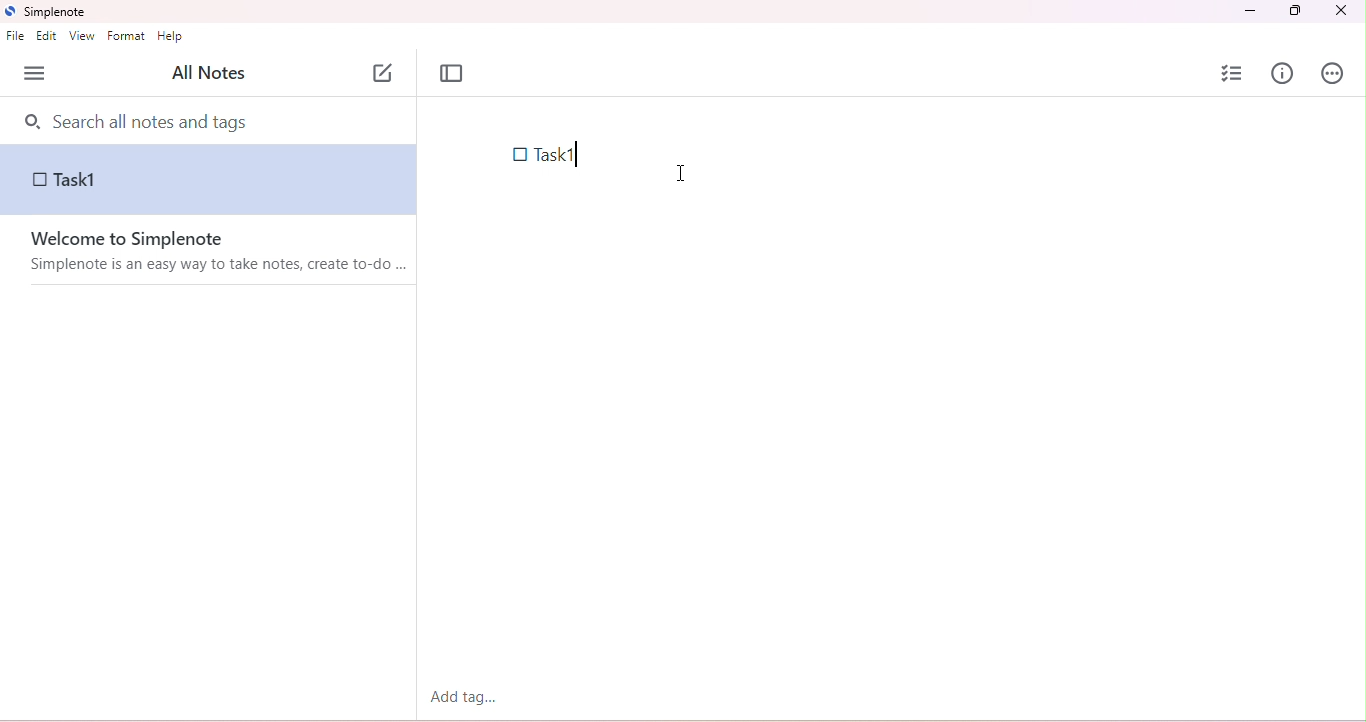  What do you see at coordinates (49, 38) in the screenshot?
I see `edit` at bounding box center [49, 38].